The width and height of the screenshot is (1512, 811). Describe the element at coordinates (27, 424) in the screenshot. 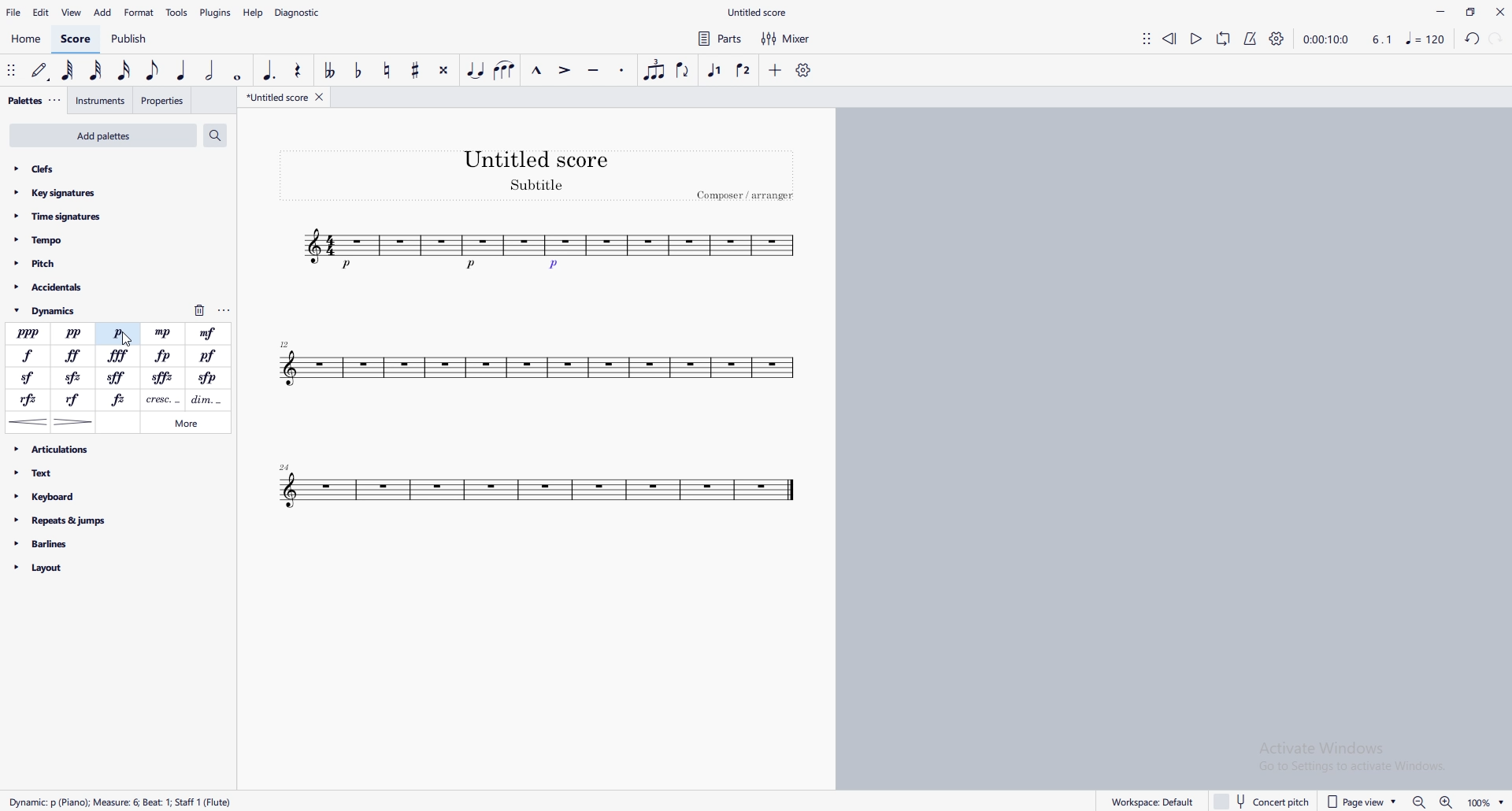

I see `crescendo hairpin` at that location.